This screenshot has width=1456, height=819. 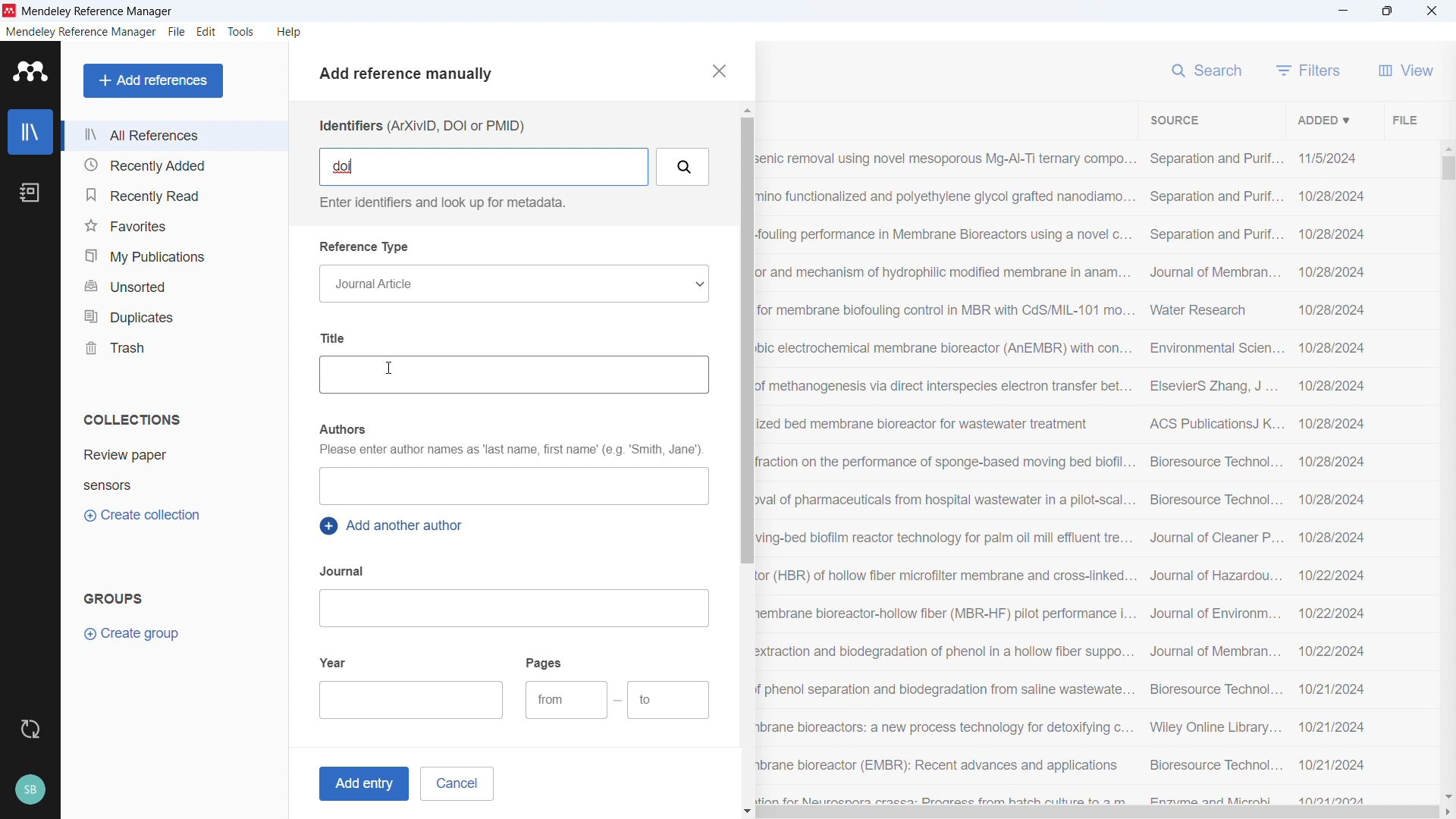 What do you see at coordinates (1447, 147) in the screenshot?
I see `Scroll up ` at bounding box center [1447, 147].